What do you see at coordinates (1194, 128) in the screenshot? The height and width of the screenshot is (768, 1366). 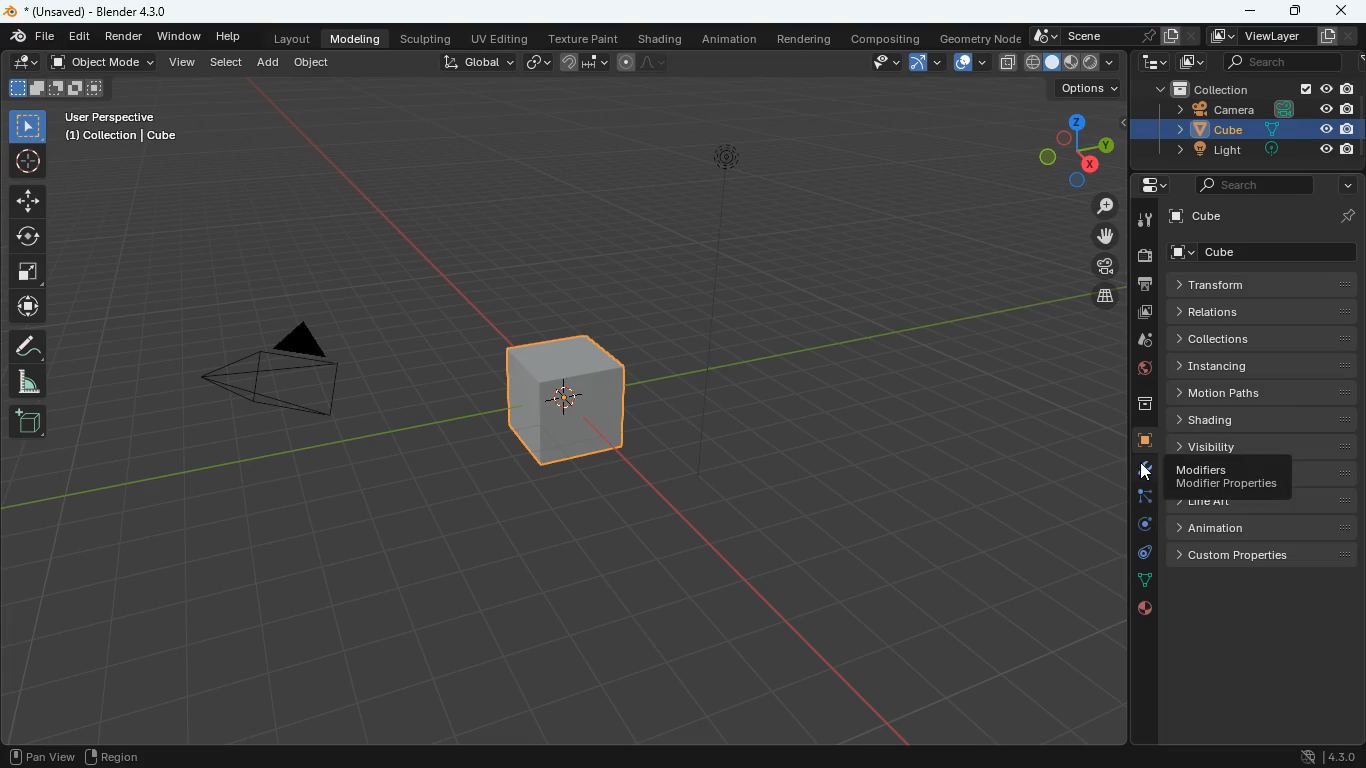 I see `cube` at bounding box center [1194, 128].